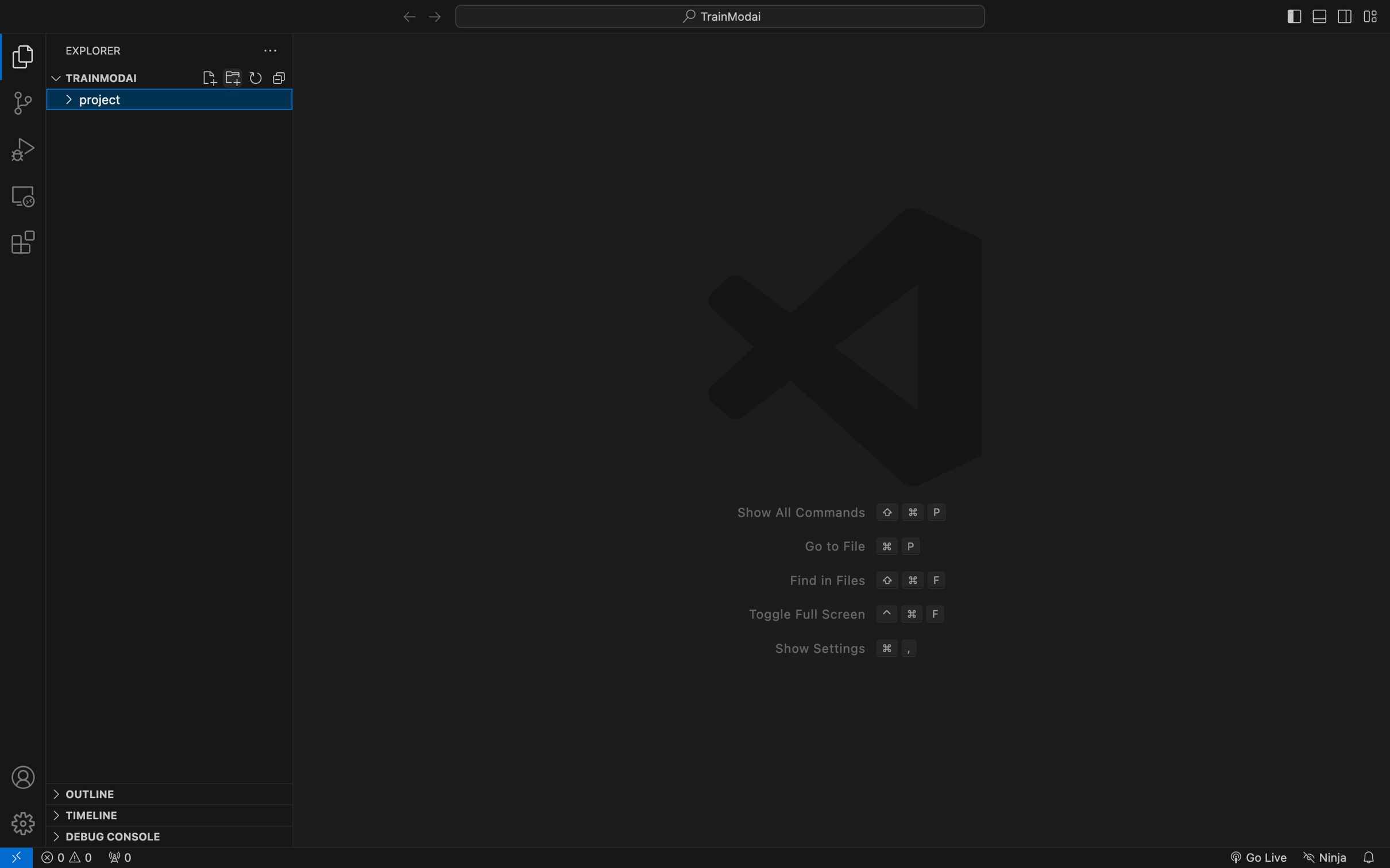 This screenshot has height=868, width=1390. Describe the element at coordinates (841, 614) in the screenshot. I see `Toggle full screen` at that location.